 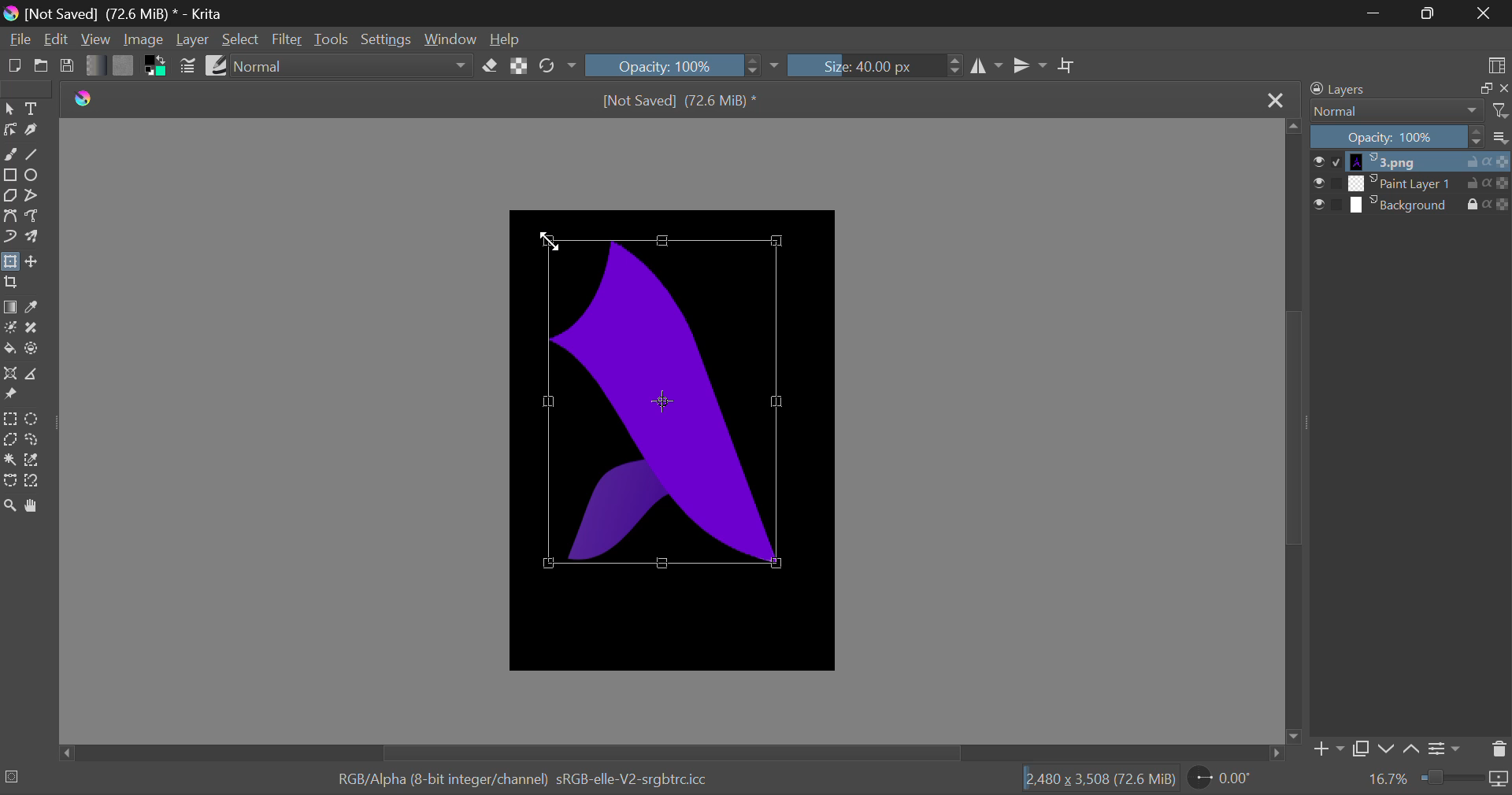 I want to click on Gradient Fill, so click(x=10, y=308).